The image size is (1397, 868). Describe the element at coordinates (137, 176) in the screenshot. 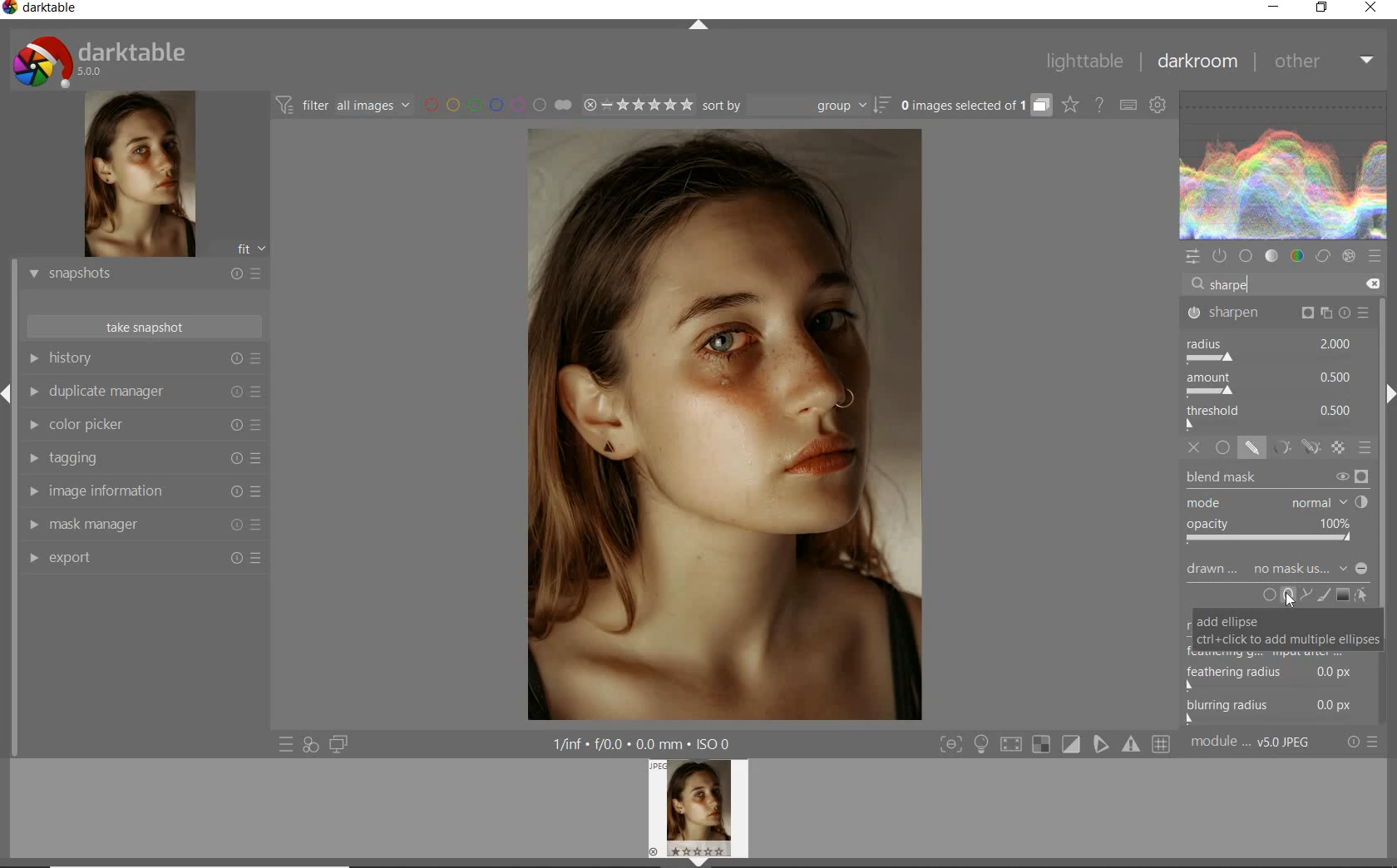

I see `image preview` at that location.